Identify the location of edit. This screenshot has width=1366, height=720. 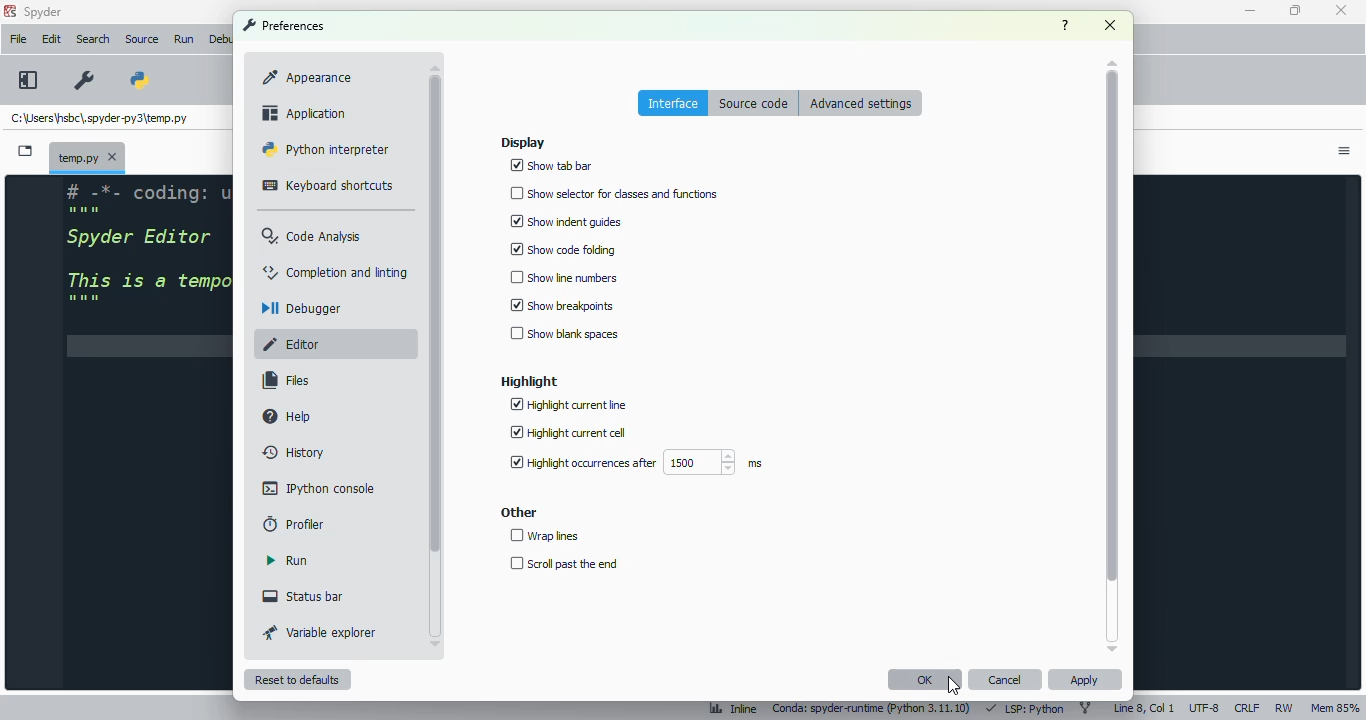
(52, 39).